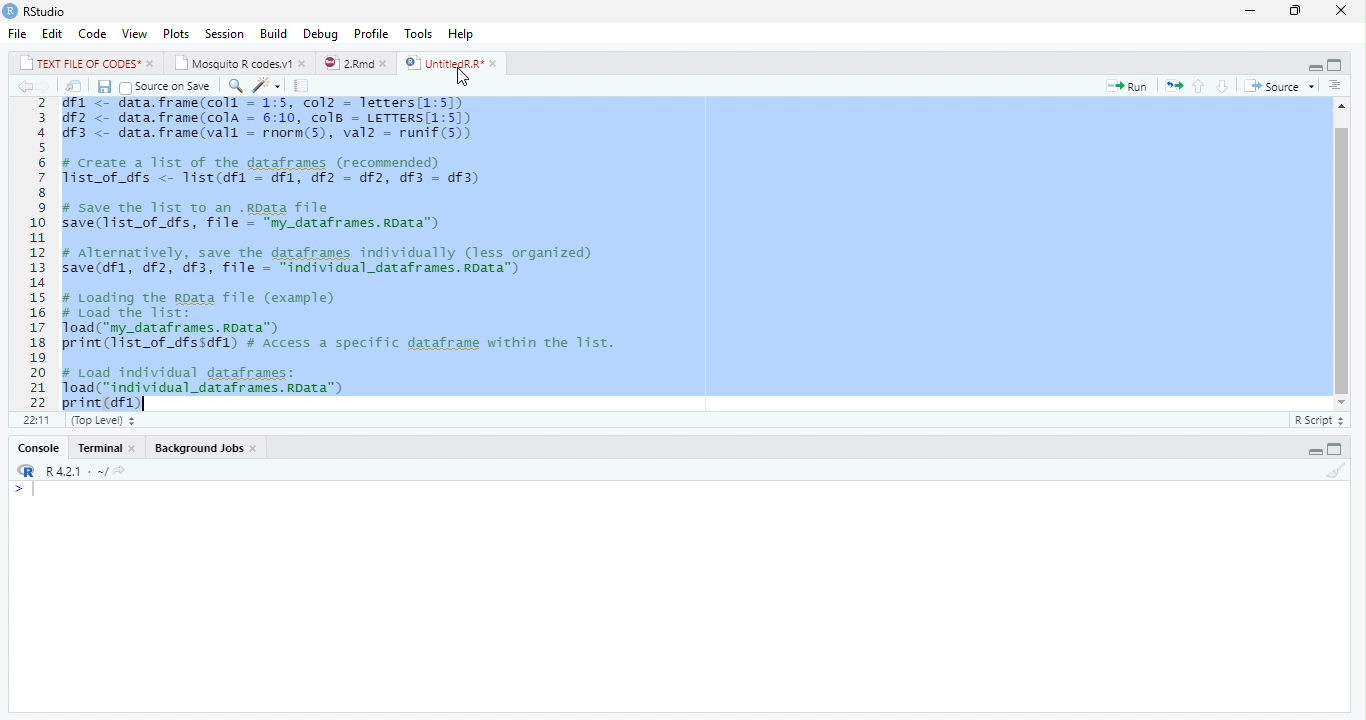  Describe the element at coordinates (101, 420) in the screenshot. I see `(top level)` at that location.